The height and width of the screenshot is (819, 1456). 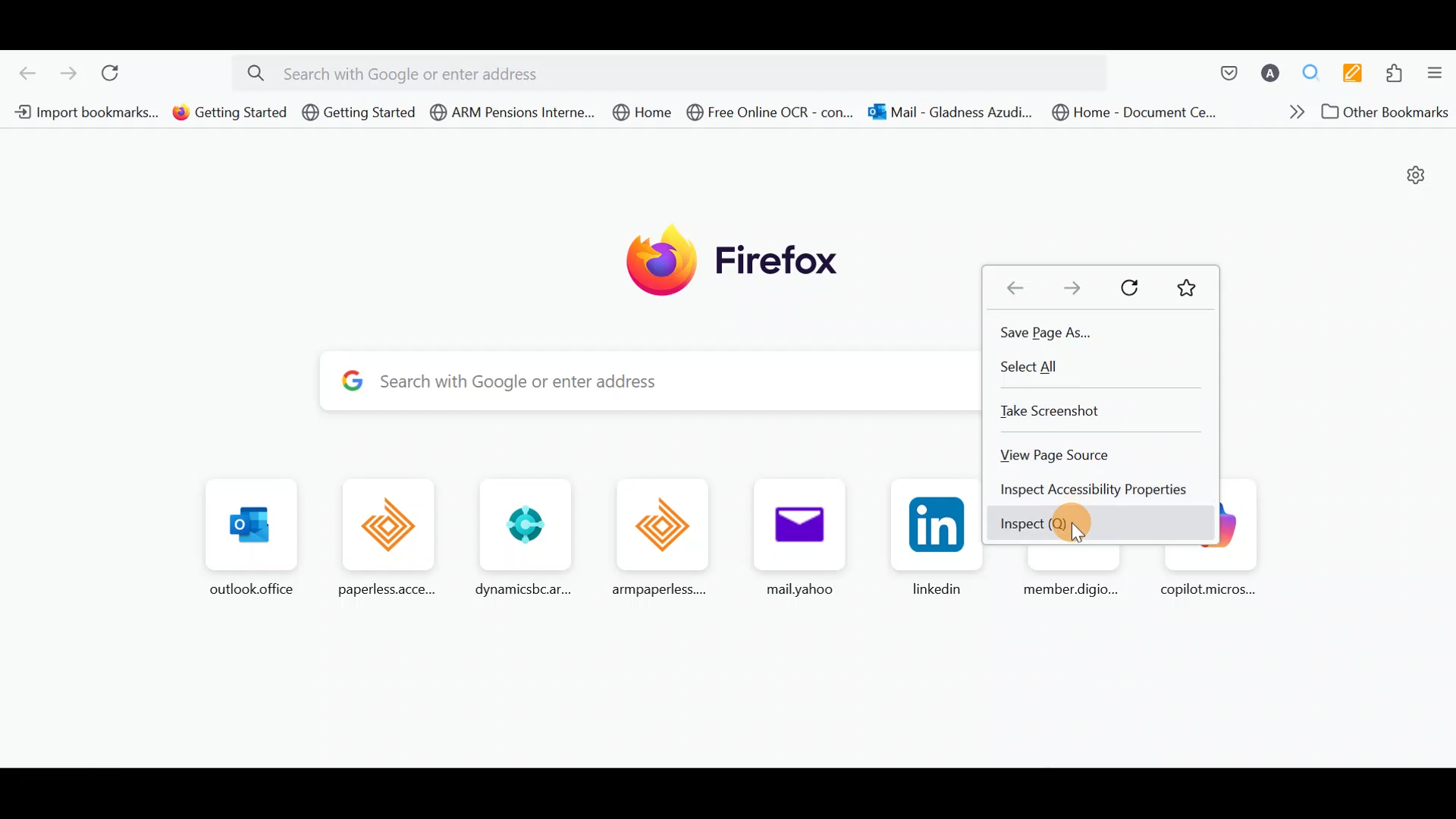 I want to click on Bookmark page, so click(x=1184, y=287).